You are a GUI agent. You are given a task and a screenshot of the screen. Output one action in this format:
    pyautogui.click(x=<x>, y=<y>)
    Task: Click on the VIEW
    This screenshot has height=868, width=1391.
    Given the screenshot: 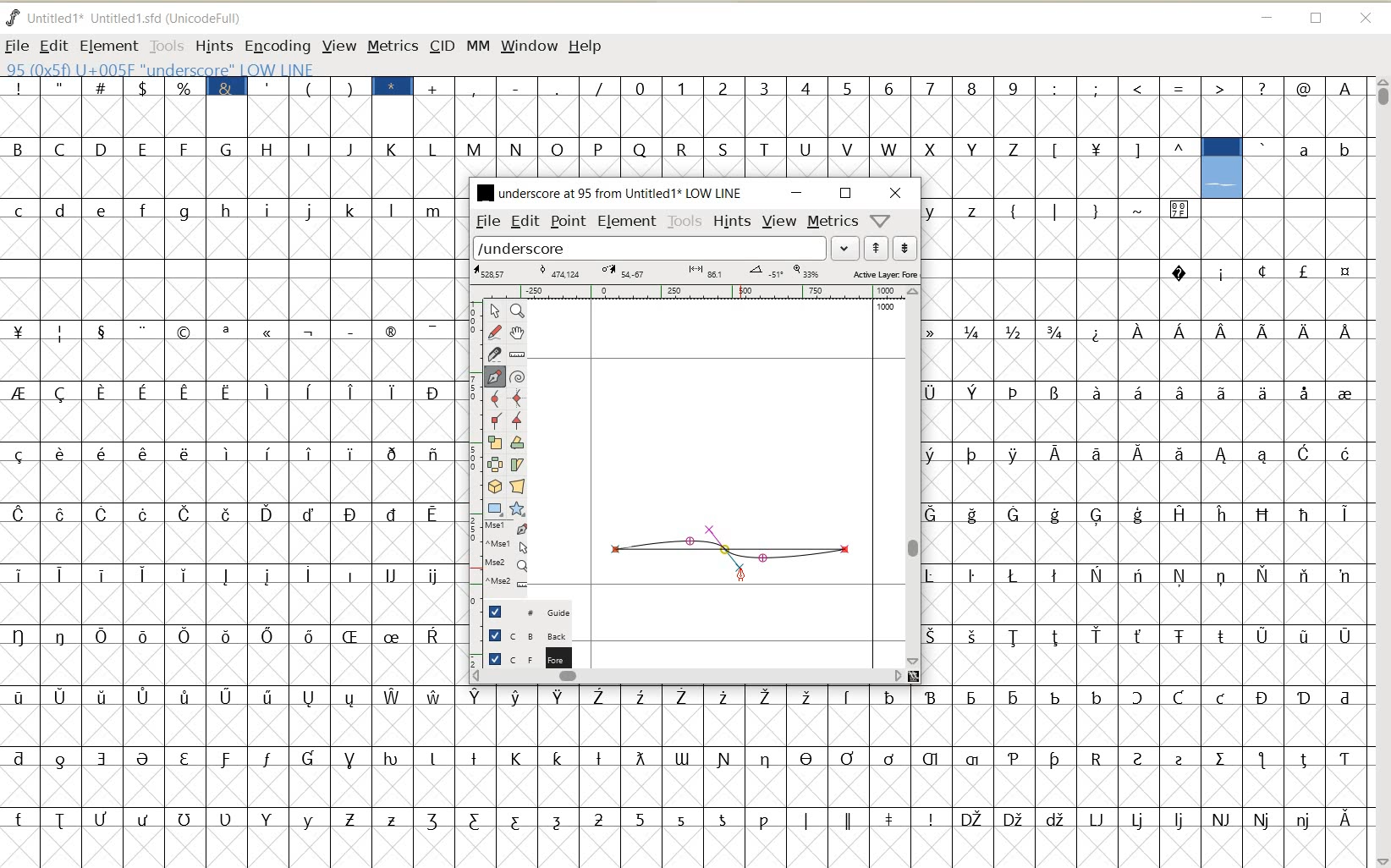 What is the action you would take?
    pyautogui.click(x=779, y=219)
    